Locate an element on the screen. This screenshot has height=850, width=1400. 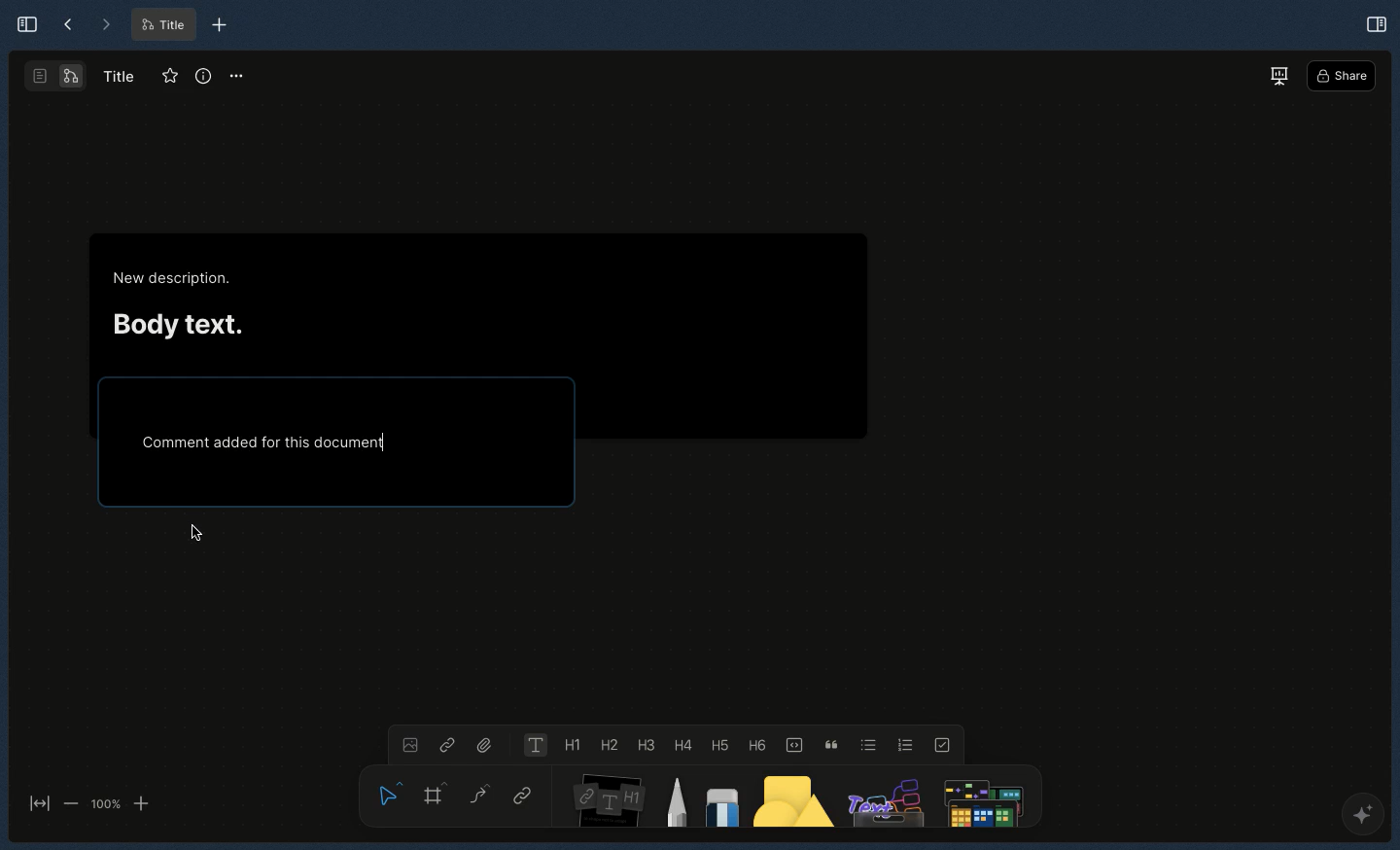
Comment added for this document is located at coordinates (263, 441).